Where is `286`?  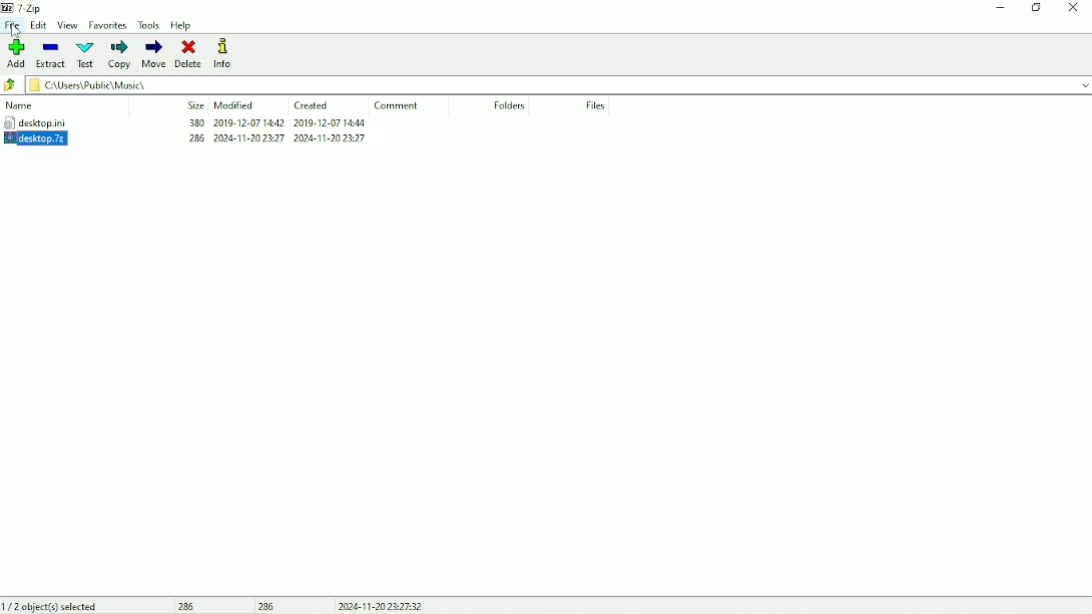
286 is located at coordinates (268, 606).